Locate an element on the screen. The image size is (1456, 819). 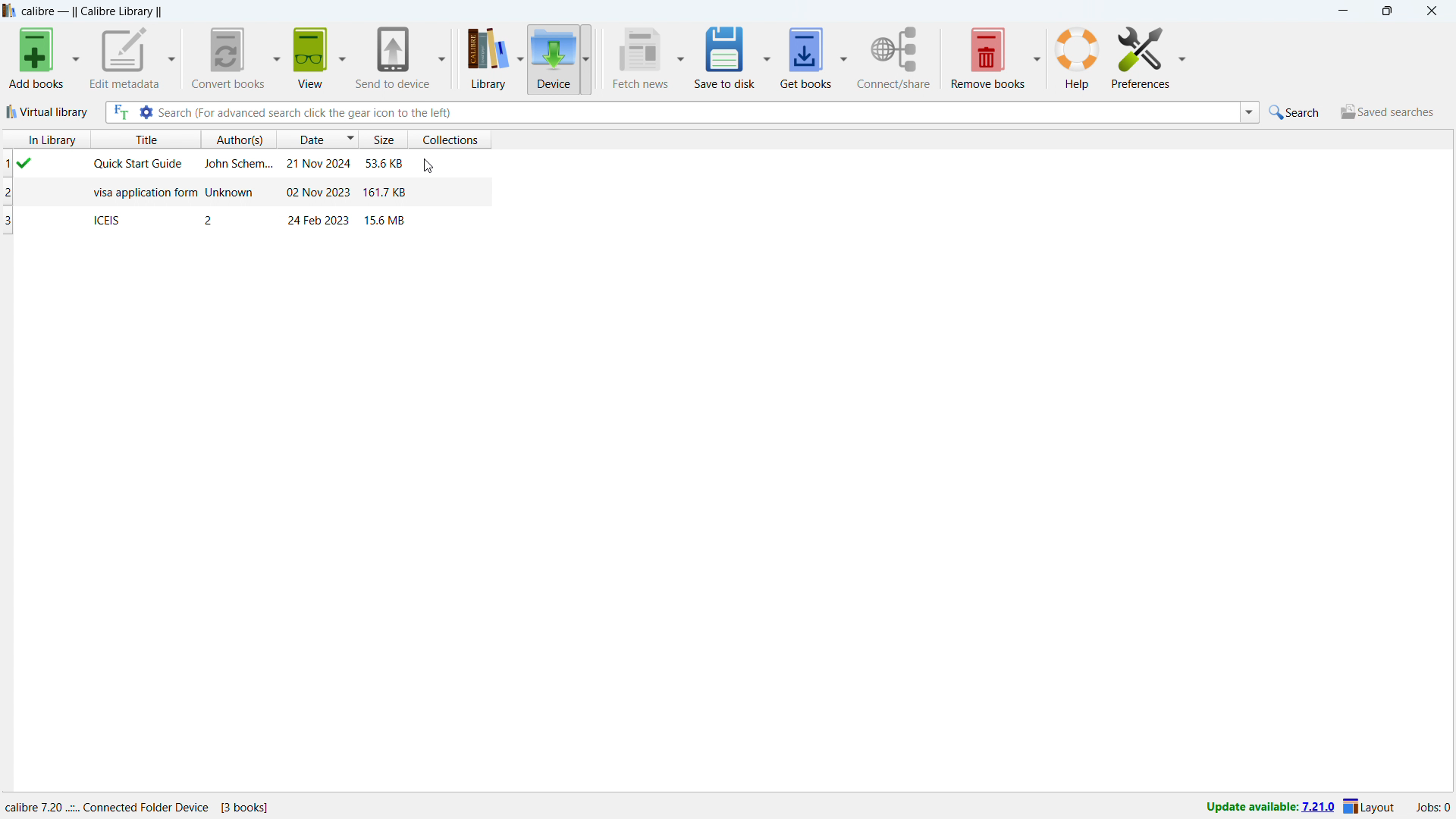
view options is located at coordinates (341, 55).